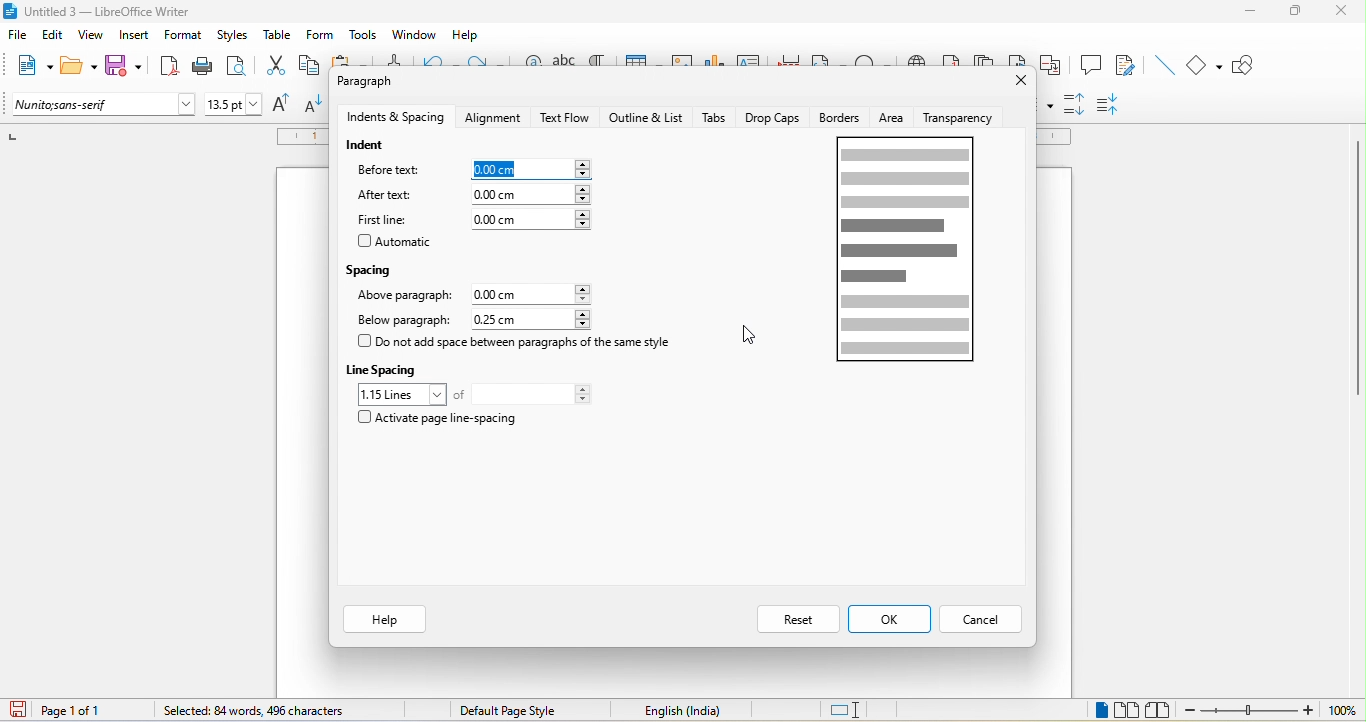 The image size is (1366, 722). What do you see at coordinates (516, 295) in the screenshot?
I see `0.00 cm` at bounding box center [516, 295].